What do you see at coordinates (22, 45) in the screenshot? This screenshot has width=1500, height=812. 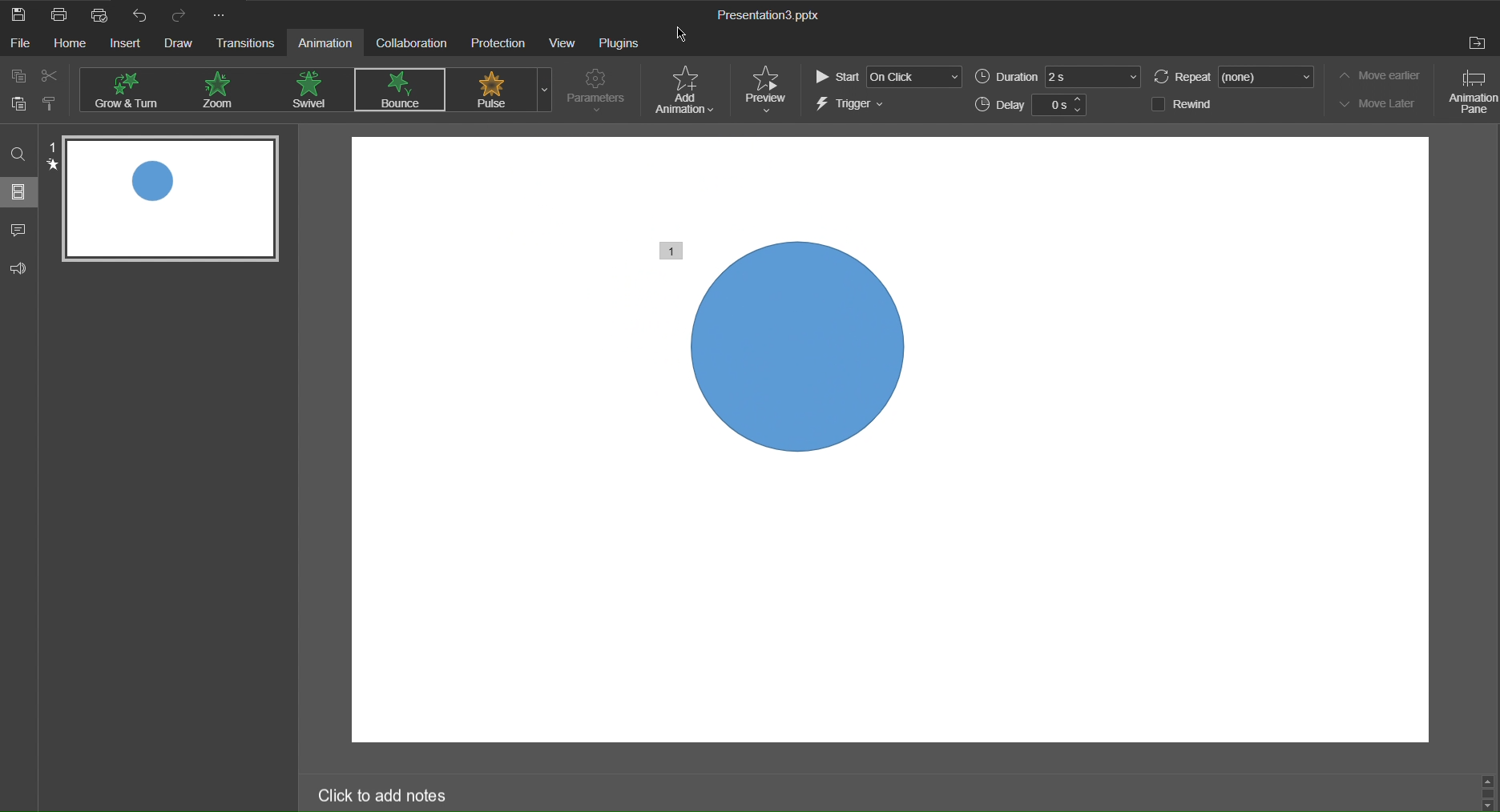 I see `File` at bounding box center [22, 45].